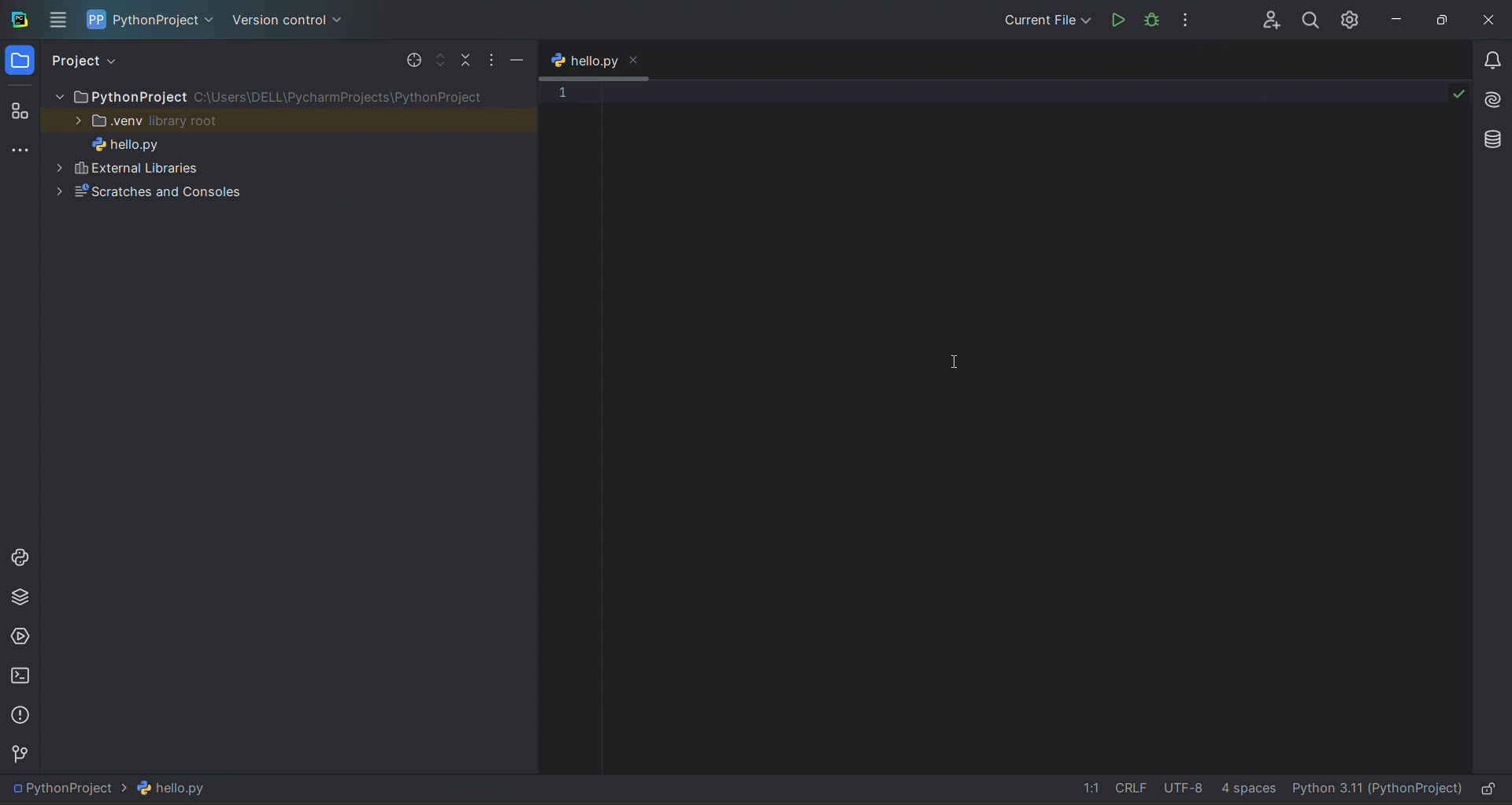  Describe the element at coordinates (582, 61) in the screenshot. I see `tab` at that location.